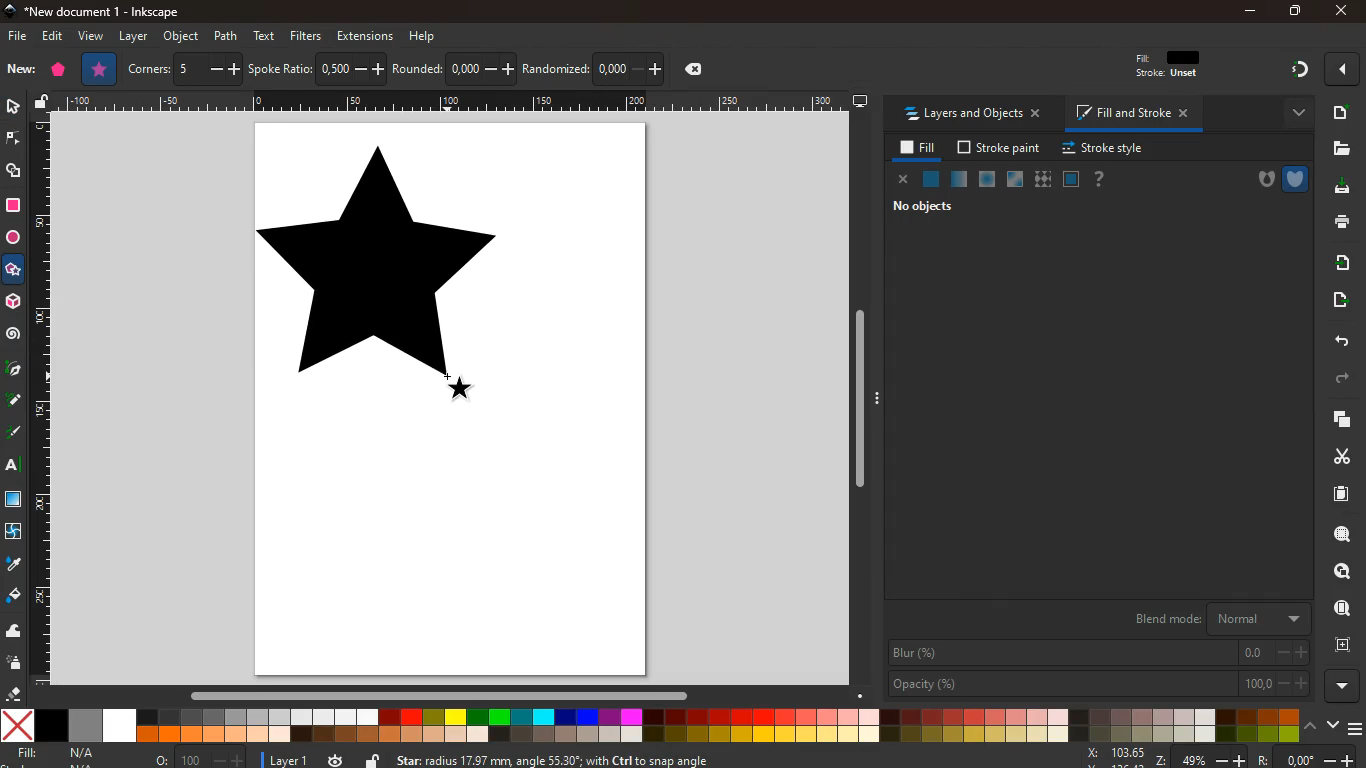 The width and height of the screenshot is (1366, 768). What do you see at coordinates (15, 238) in the screenshot?
I see `circle` at bounding box center [15, 238].